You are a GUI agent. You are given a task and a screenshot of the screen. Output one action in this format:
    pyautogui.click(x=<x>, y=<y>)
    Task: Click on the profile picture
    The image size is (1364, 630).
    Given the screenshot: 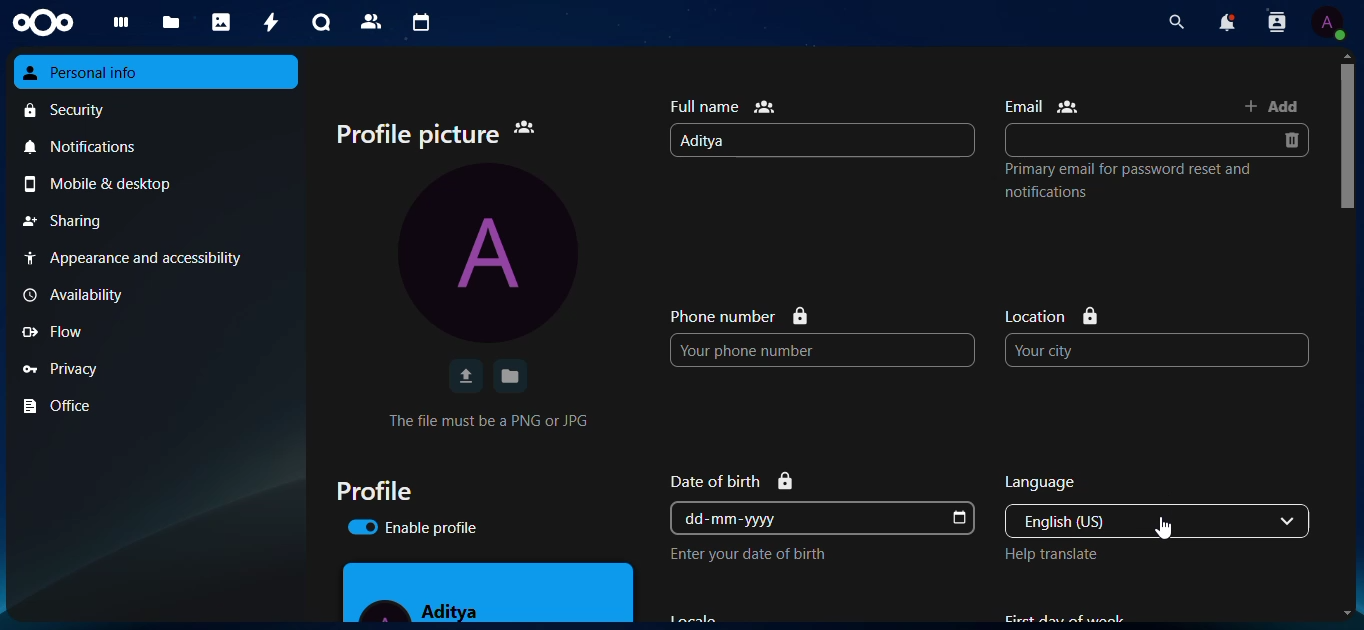 What is the action you would take?
    pyautogui.click(x=444, y=132)
    